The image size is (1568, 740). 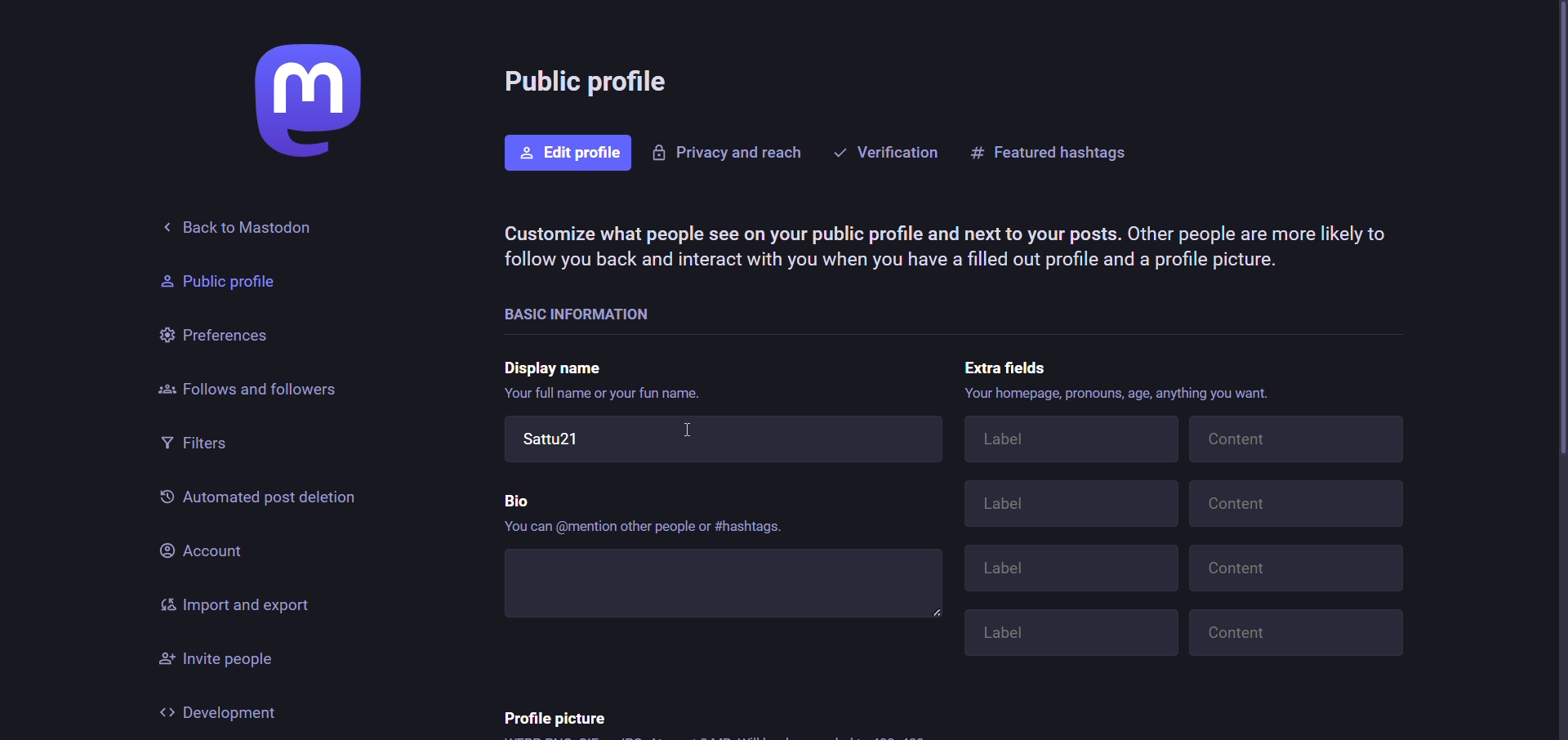 I want to click on account, so click(x=201, y=549).